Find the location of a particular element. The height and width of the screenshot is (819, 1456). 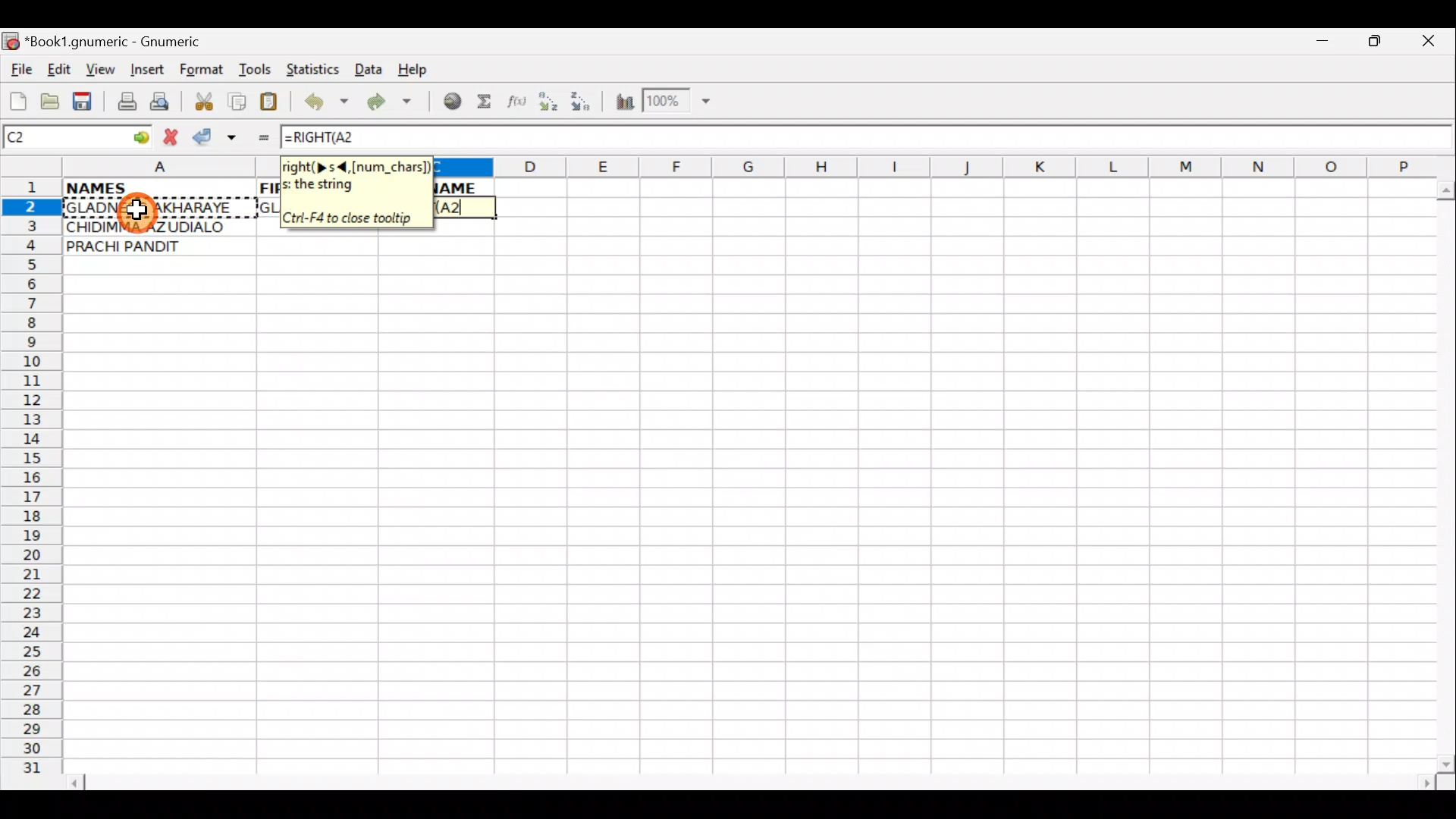

Insert is located at coordinates (146, 70).